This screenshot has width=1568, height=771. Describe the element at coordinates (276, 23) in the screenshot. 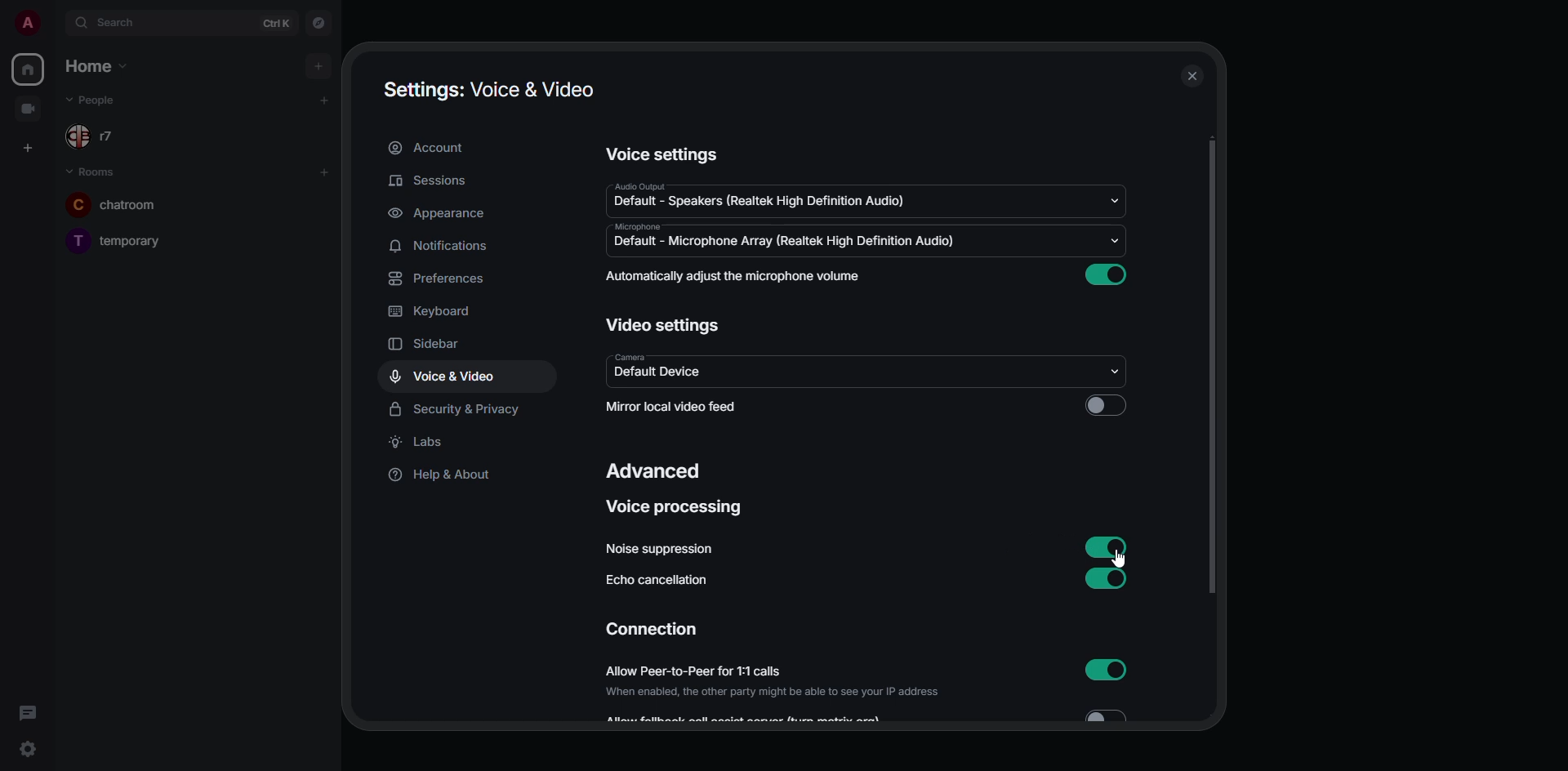

I see `ctrl K` at that location.